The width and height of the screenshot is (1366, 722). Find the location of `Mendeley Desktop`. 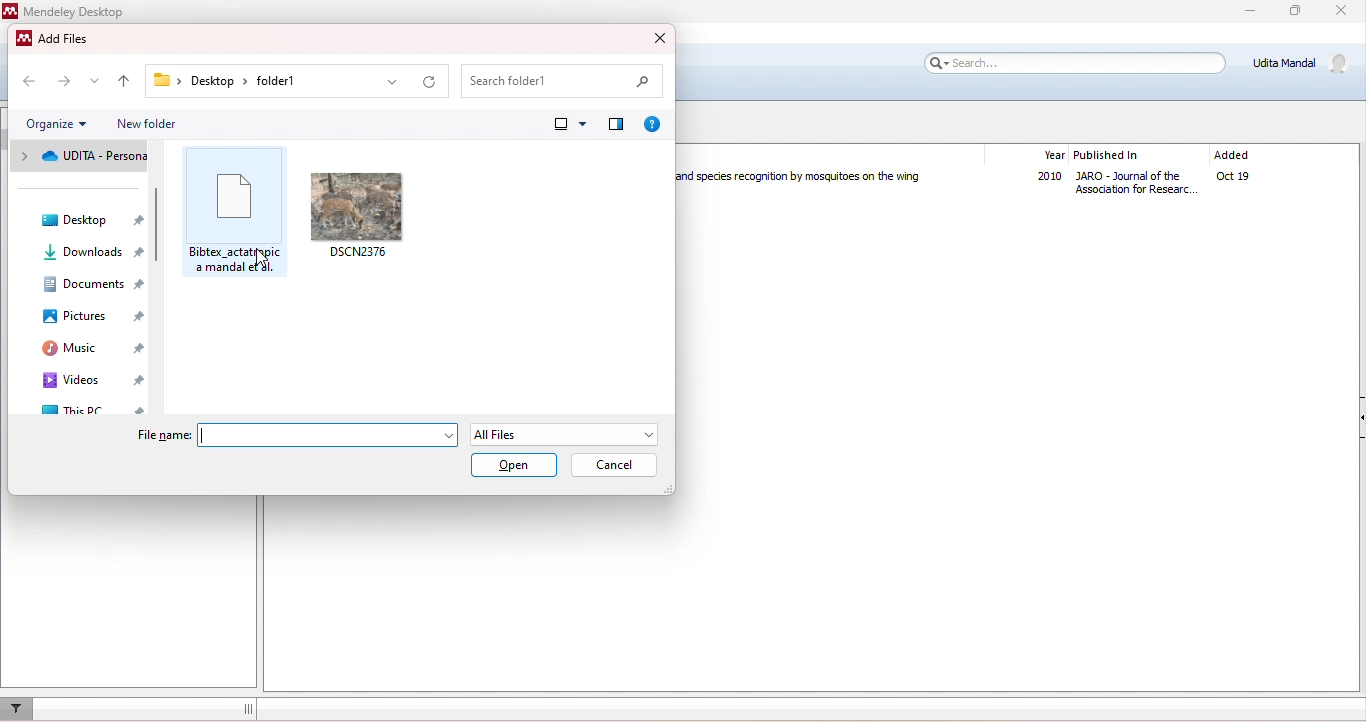

Mendeley Desktop is located at coordinates (73, 12).